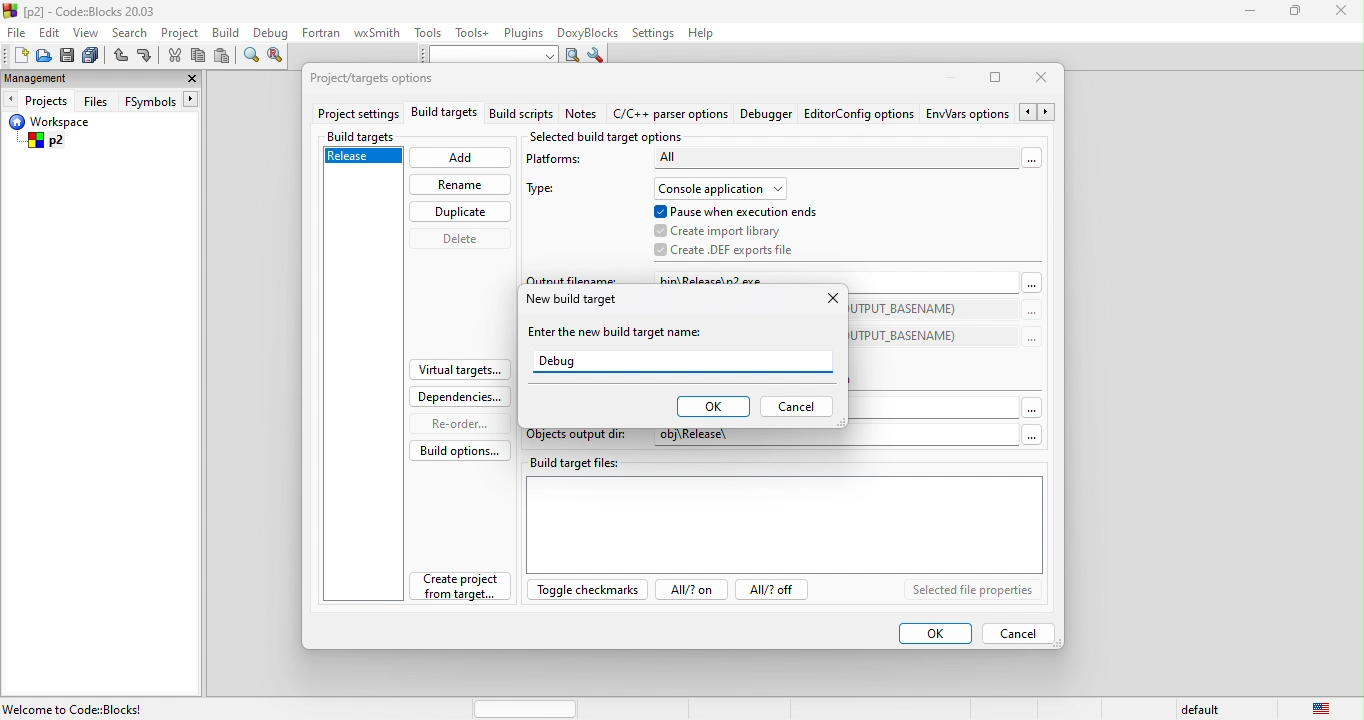 The width and height of the screenshot is (1364, 720). I want to click on minimize, so click(950, 78).